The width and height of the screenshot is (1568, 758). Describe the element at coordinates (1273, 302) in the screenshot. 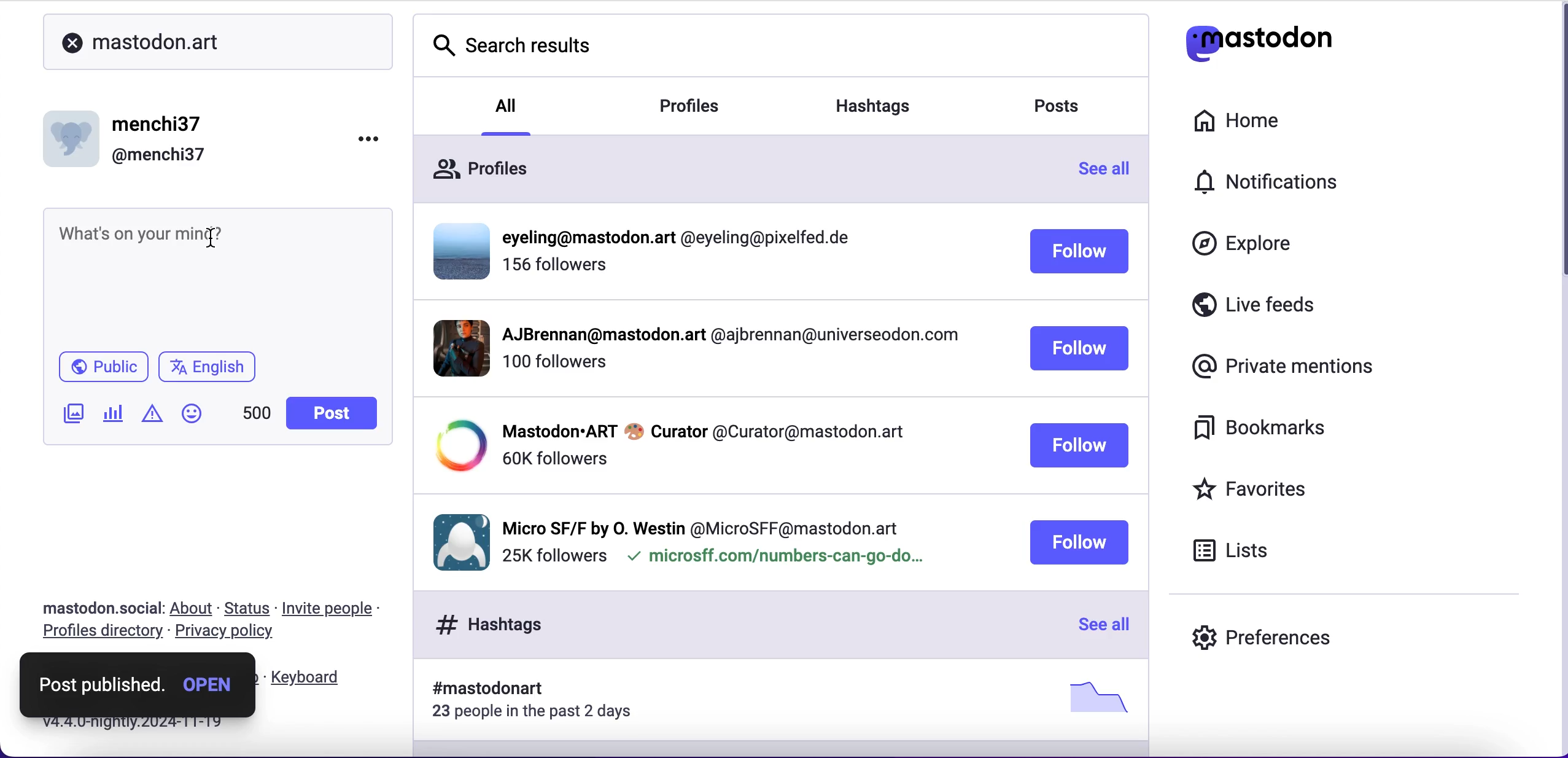

I see `live feeds` at that location.